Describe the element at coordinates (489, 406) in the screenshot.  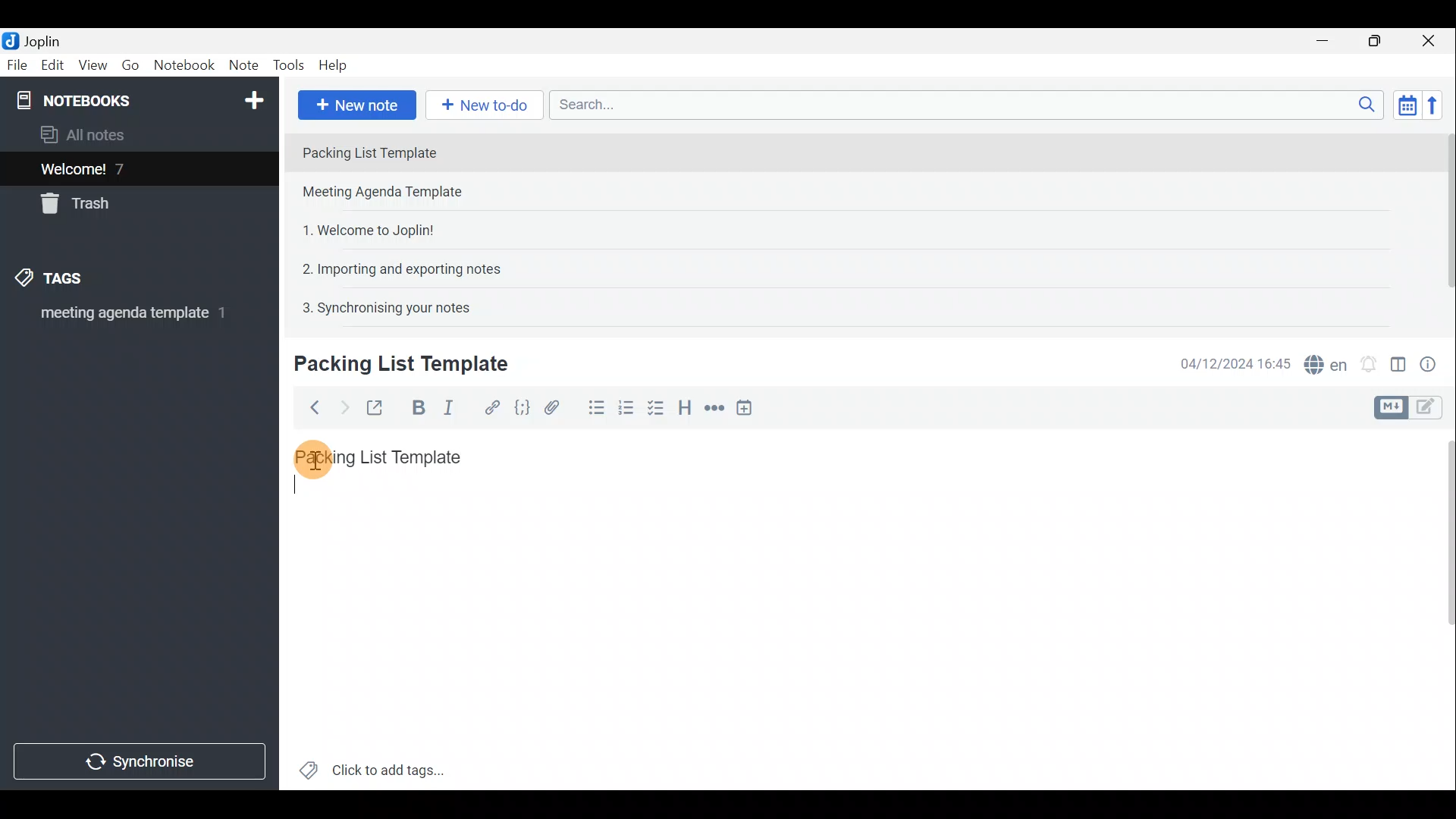
I see `Hyperlink` at that location.